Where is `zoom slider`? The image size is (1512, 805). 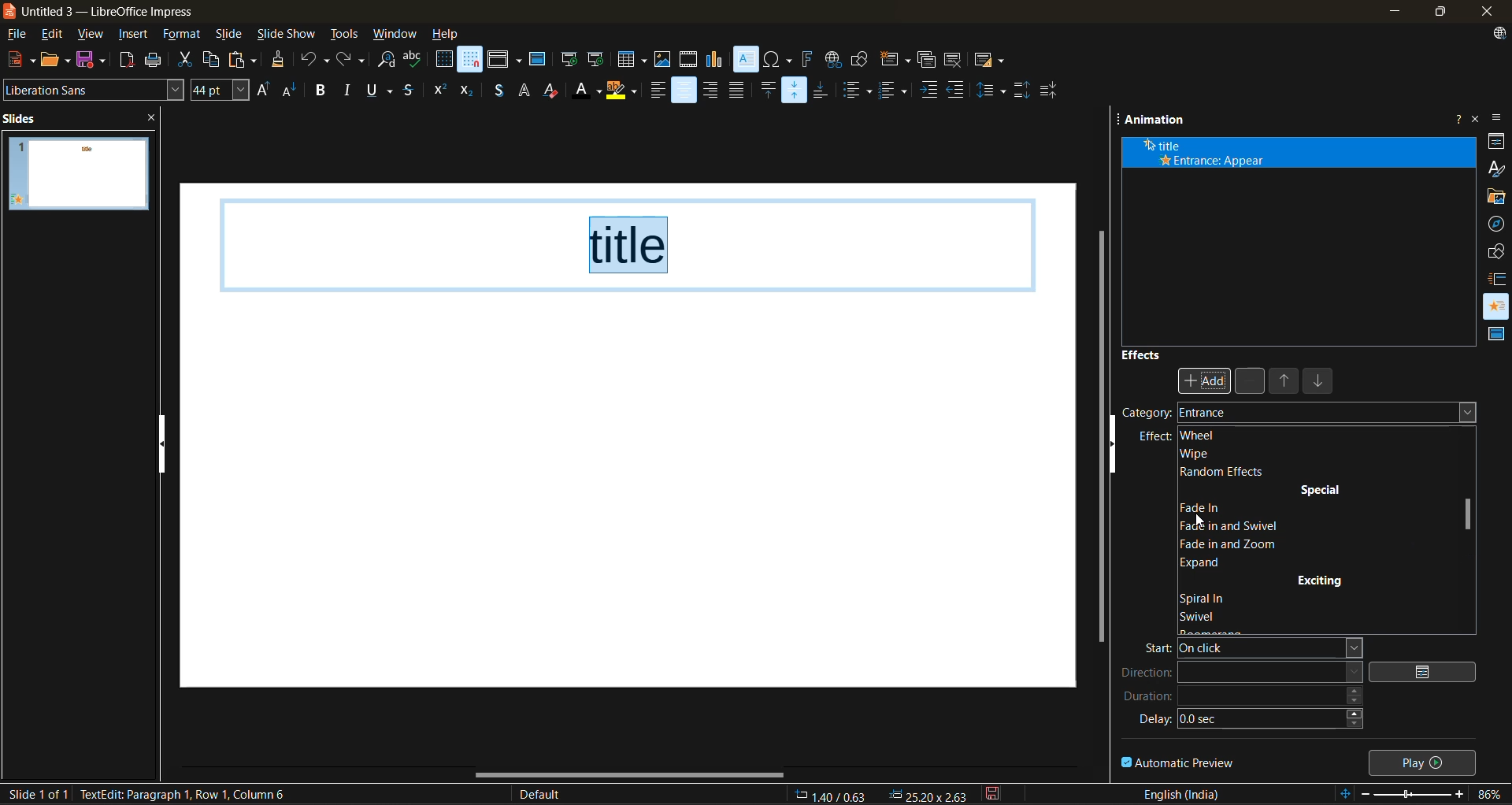
zoom slider is located at coordinates (1417, 796).